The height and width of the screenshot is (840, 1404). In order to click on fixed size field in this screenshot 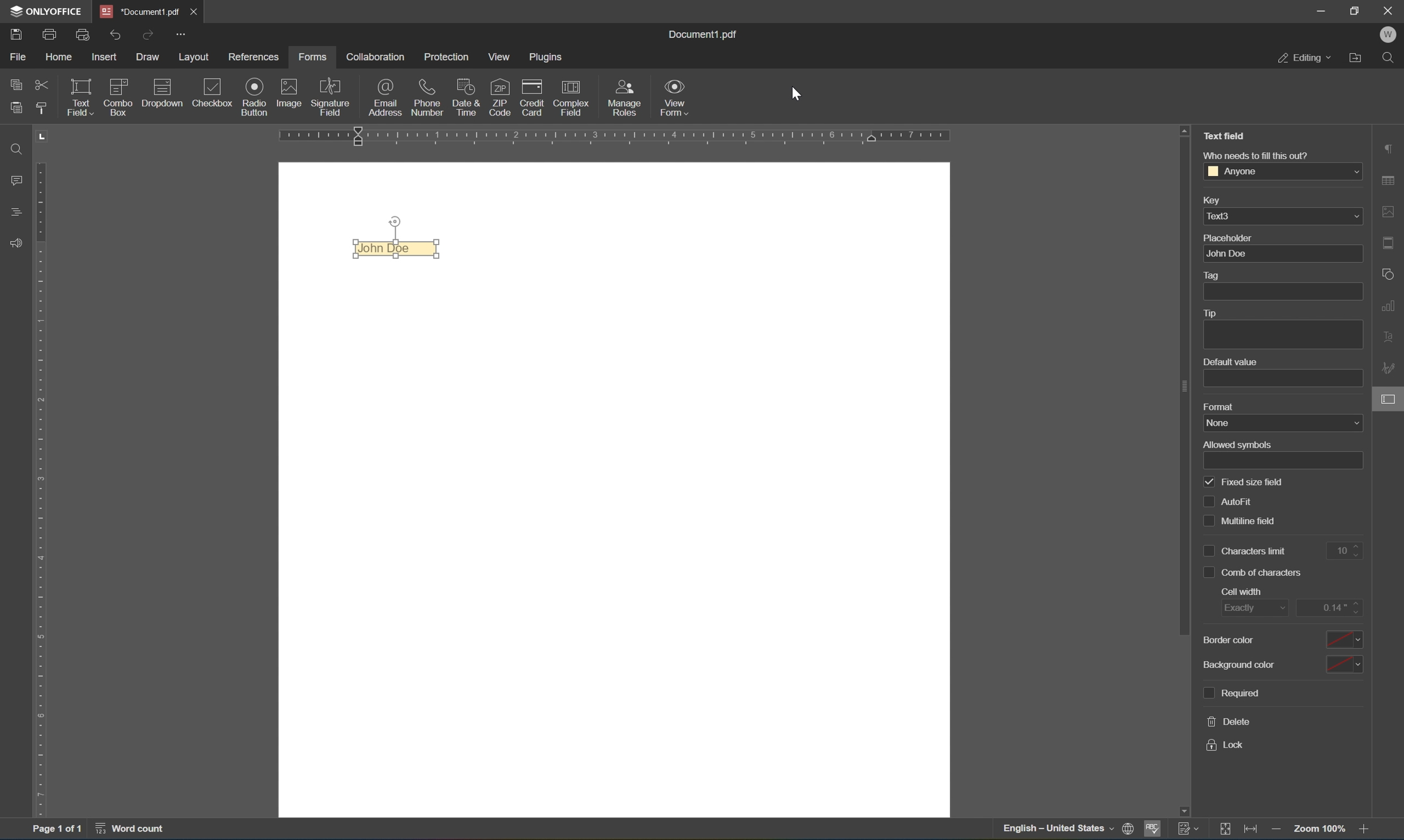, I will do `click(1245, 482)`.